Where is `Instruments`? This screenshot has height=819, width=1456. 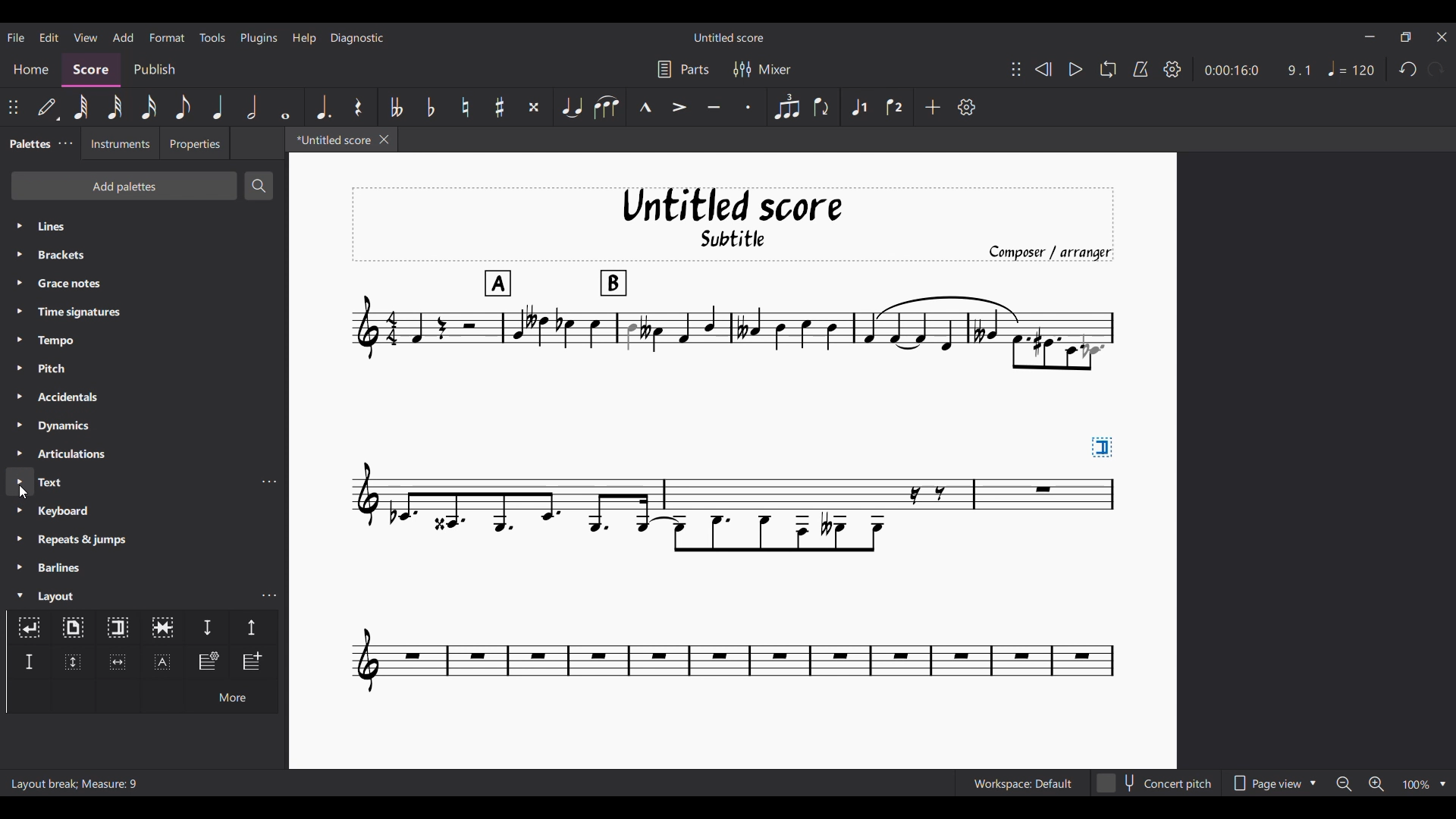 Instruments is located at coordinates (119, 143).